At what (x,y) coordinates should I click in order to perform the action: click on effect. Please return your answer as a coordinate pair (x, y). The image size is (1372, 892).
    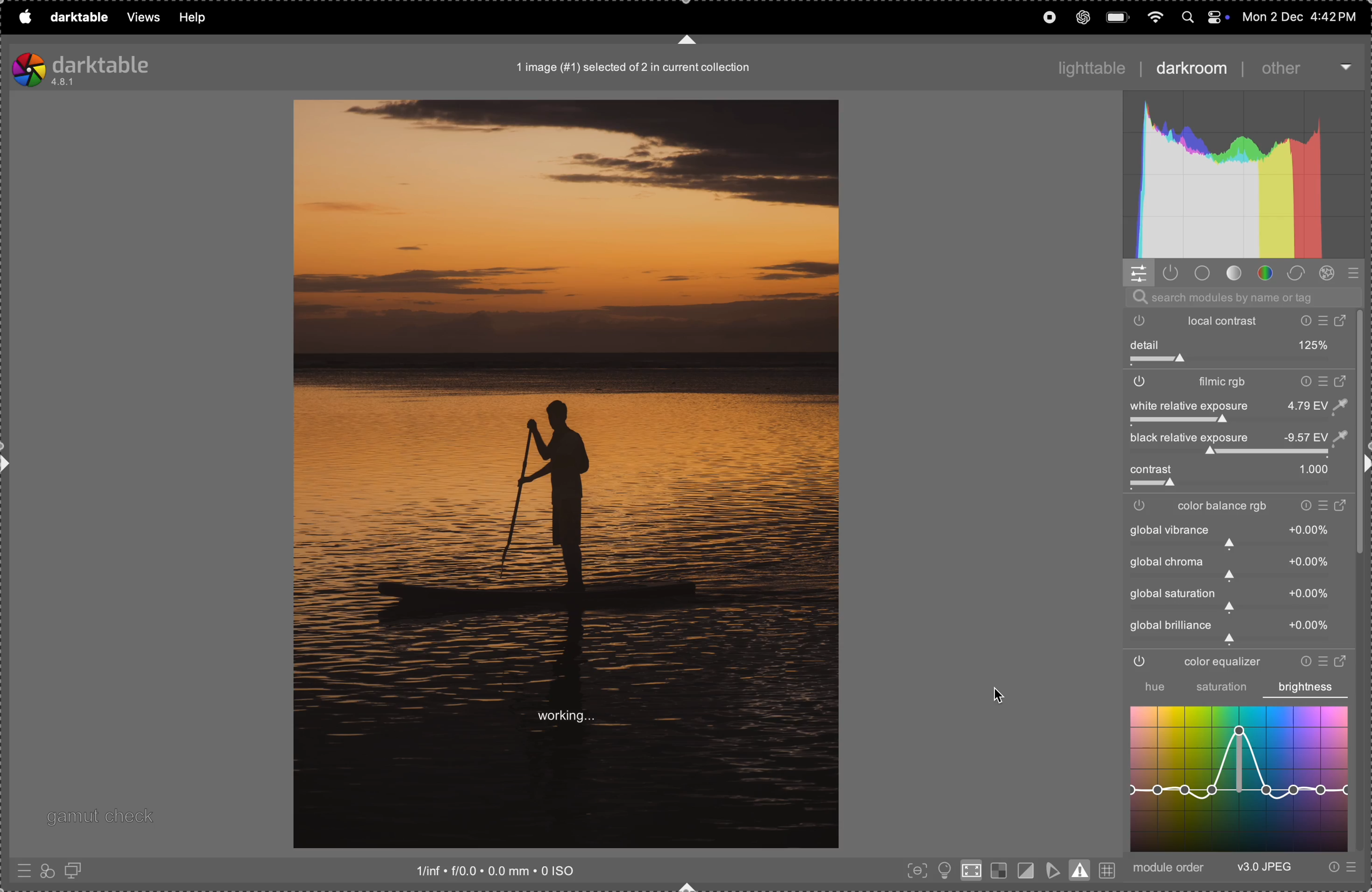
    Looking at the image, I should click on (1330, 274).